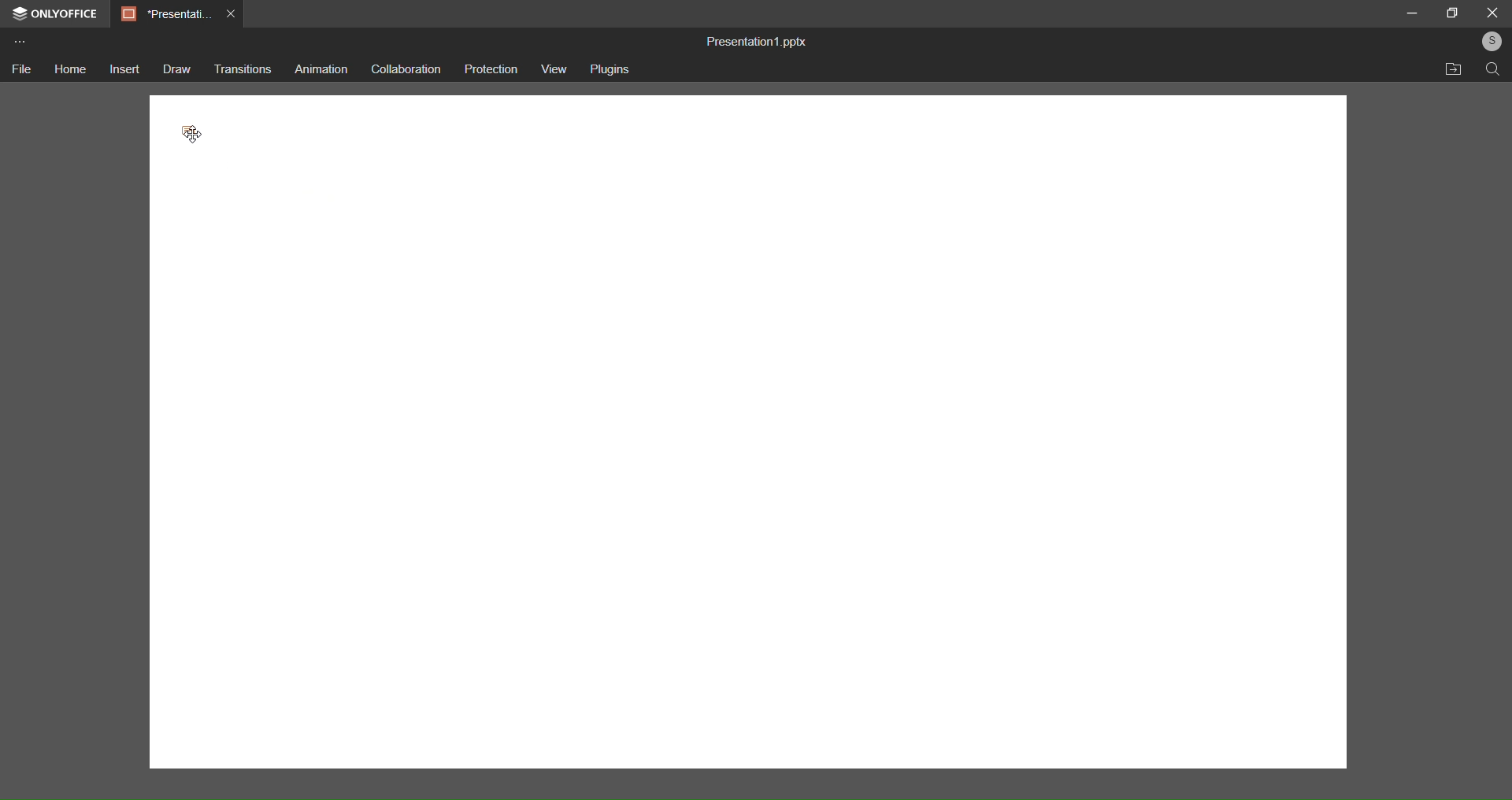  I want to click on cursor, so click(198, 131).